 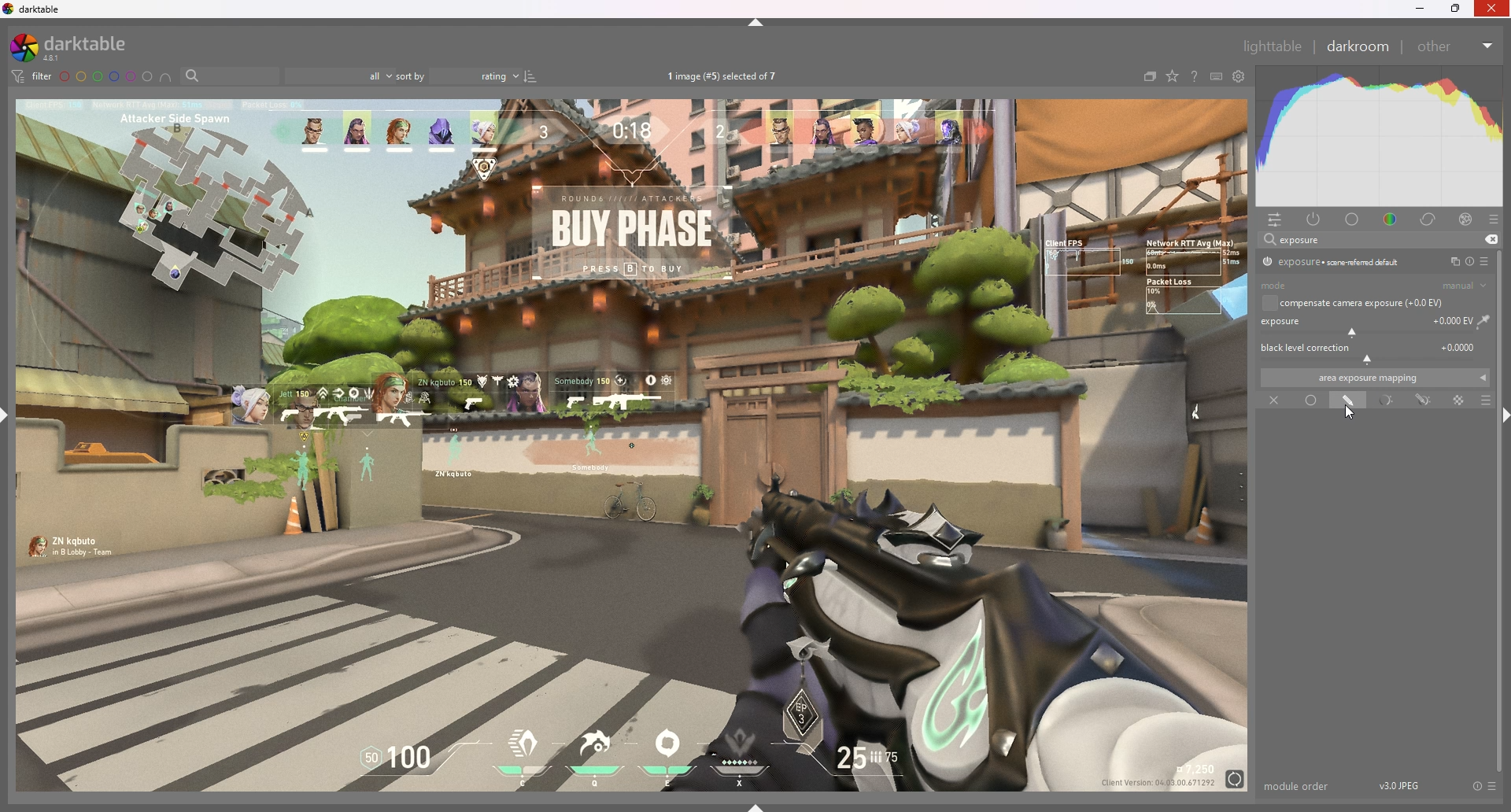 I want to click on lighttable, so click(x=1273, y=46).